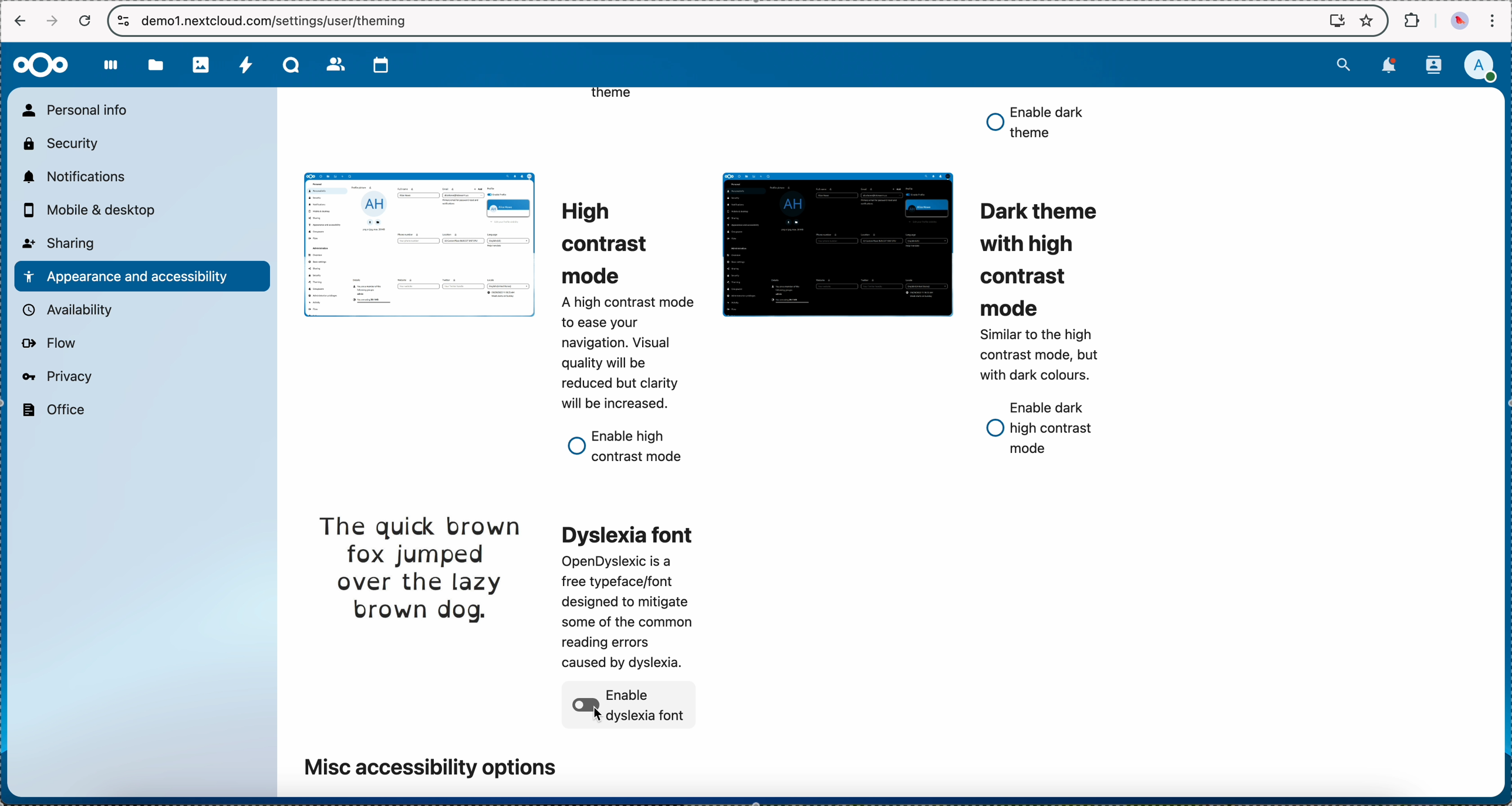 The width and height of the screenshot is (1512, 806). What do you see at coordinates (50, 345) in the screenshot?
I see `flow` at bounding box center [50, 345].